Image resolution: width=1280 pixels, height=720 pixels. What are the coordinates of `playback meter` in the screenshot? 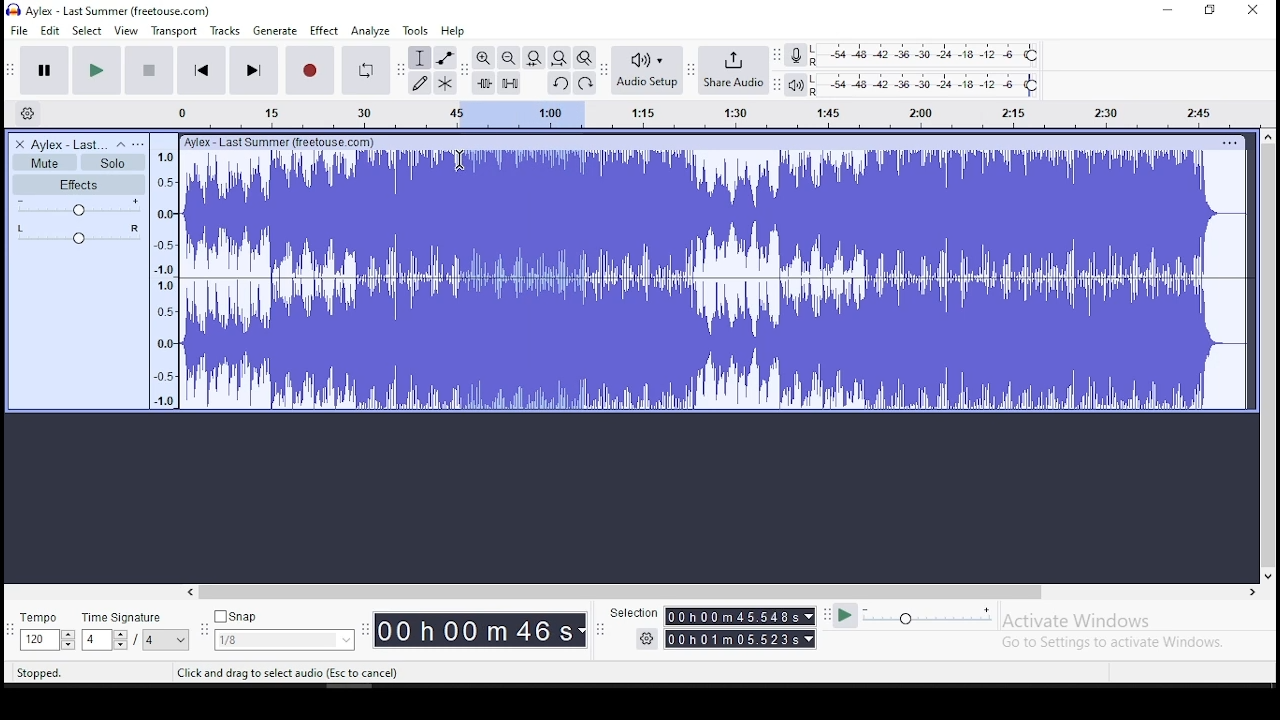 It's located at (802, 83).